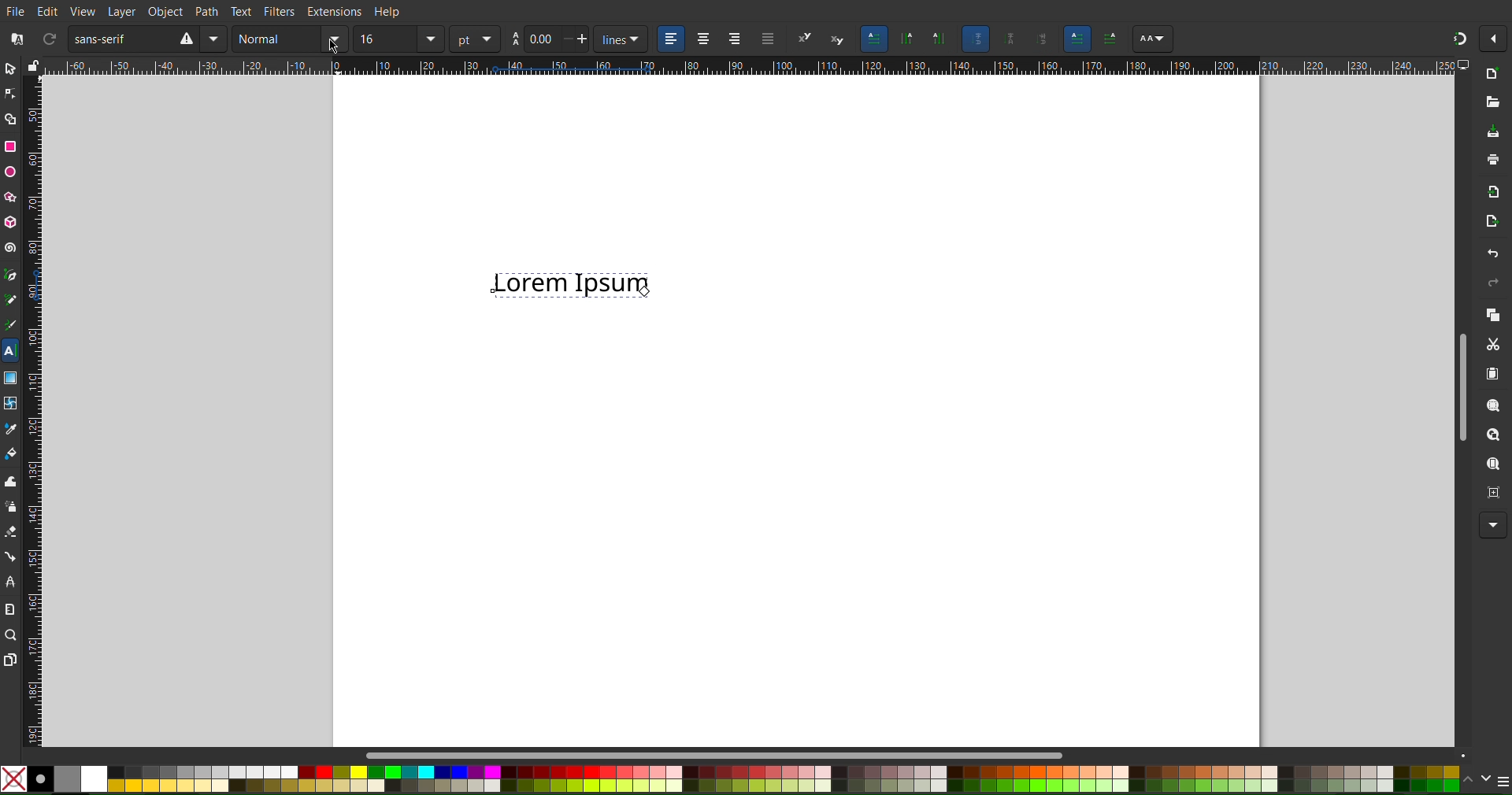  I want to click on Print, so click(1492, 161).